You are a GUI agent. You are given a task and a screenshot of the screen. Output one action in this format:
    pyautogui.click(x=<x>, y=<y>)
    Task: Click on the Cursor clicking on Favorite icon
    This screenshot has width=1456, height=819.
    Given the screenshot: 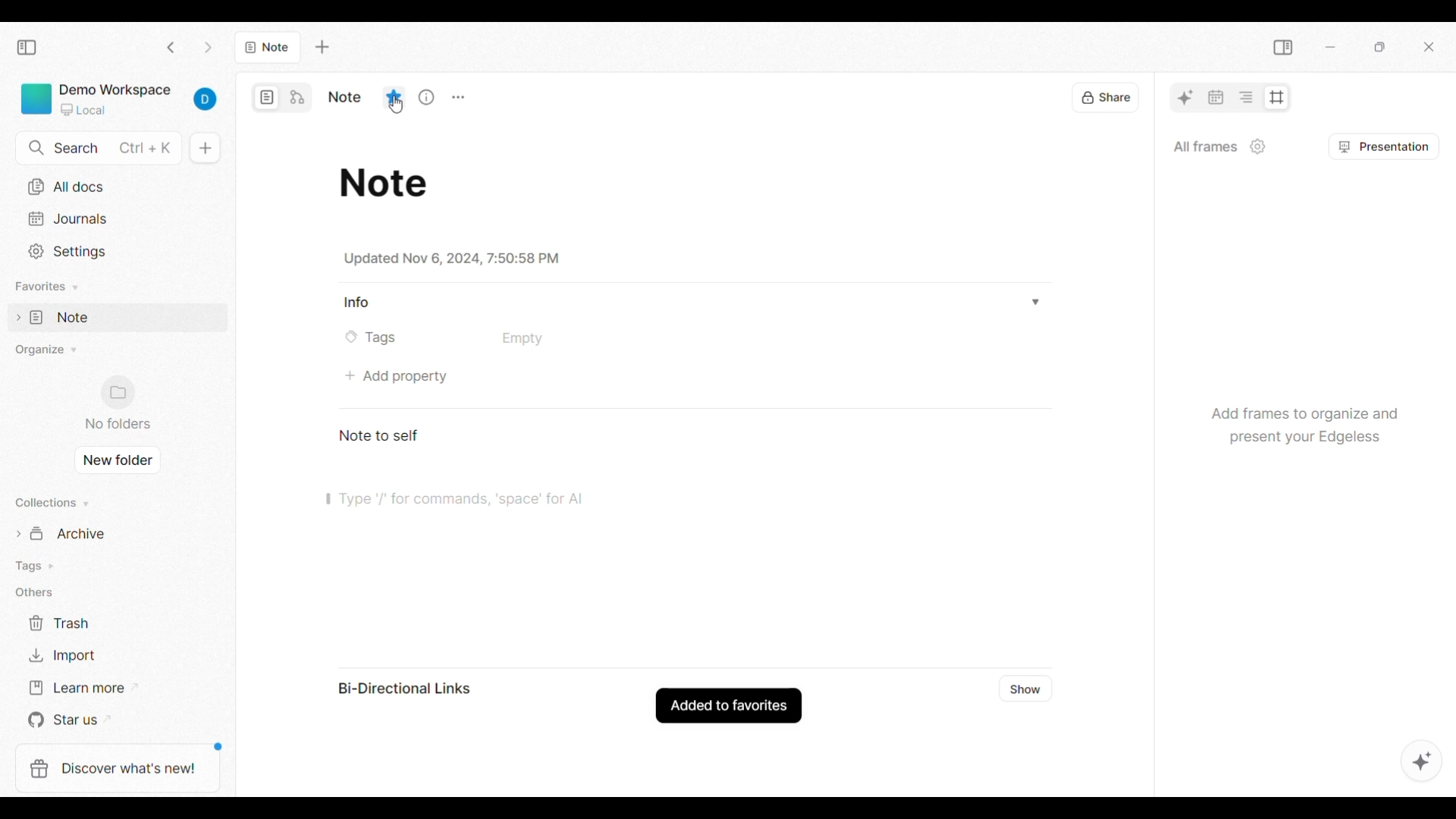 What is the action you would take?
    pyautogui.click(x=398, y=105)
    